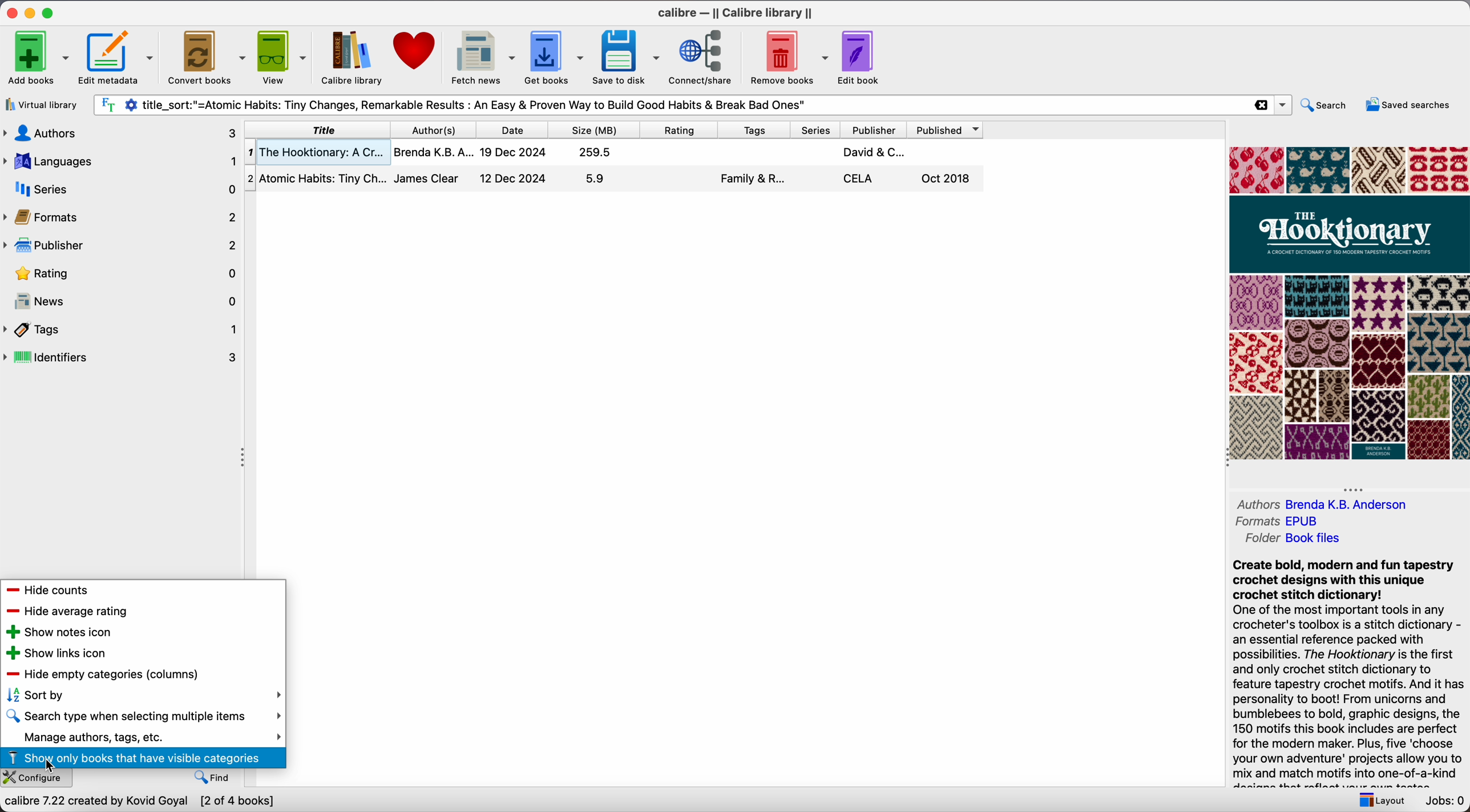 The height and width of the screenshot is (812, 1470). What do you see at coordinates (754, 179) in the screenshot?
I see `Family & R...` at bounding box center [754, 179].